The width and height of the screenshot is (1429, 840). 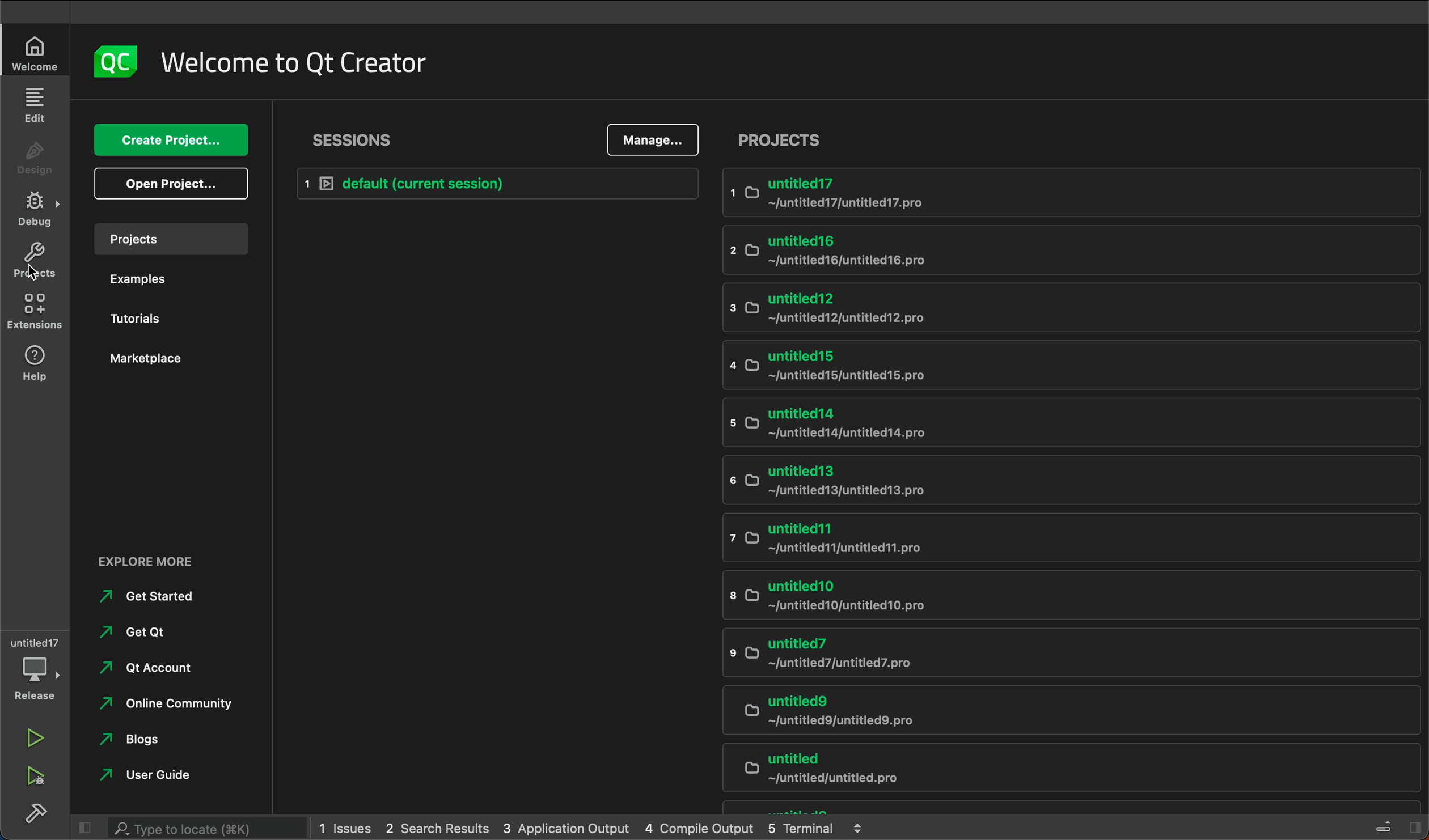 What do you see at coordinates (1052, 192) in the screenshot?
I see `untitled17` at bounding box center [1052, 192].